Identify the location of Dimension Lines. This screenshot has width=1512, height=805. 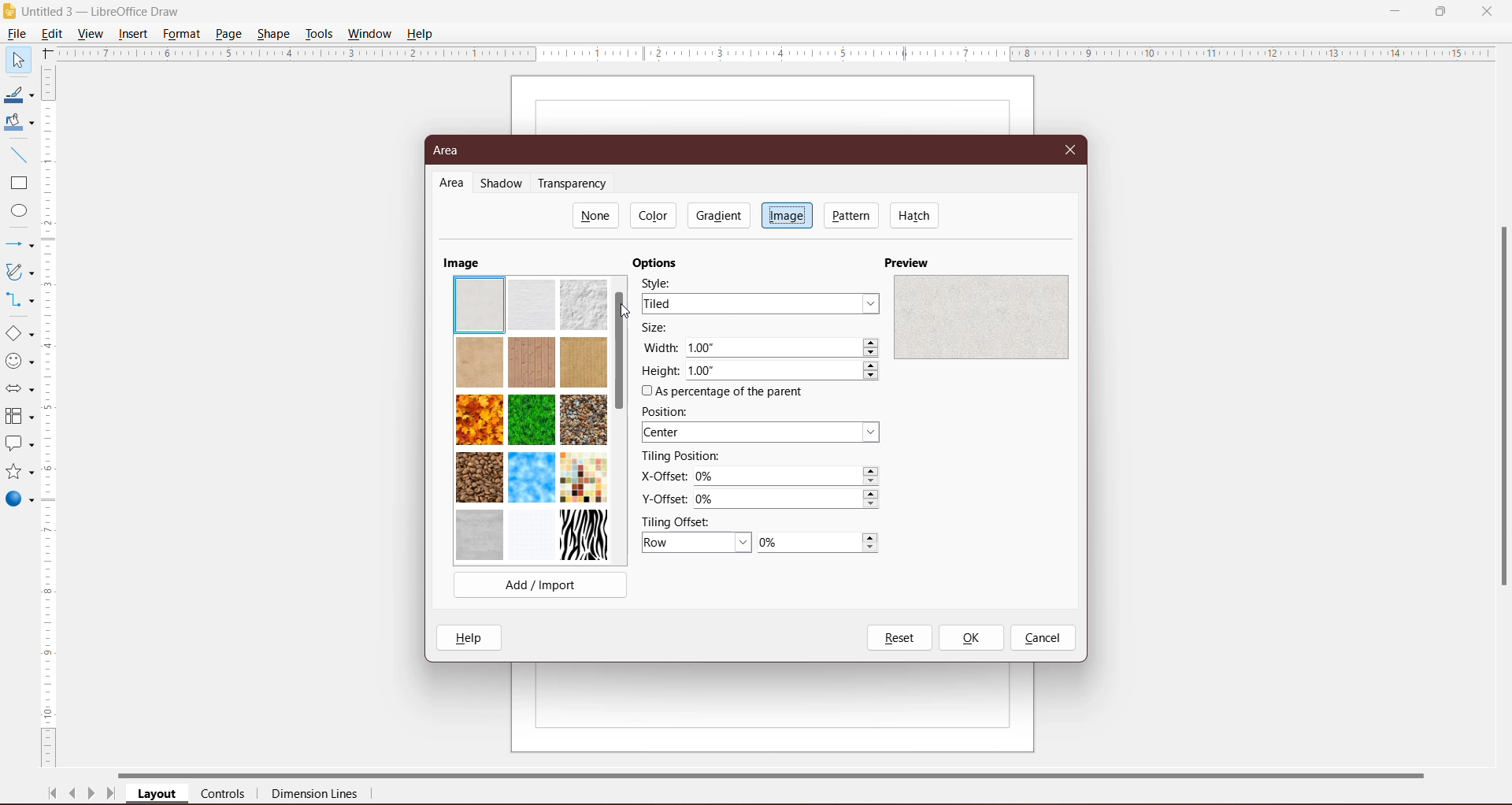
(316, 796).